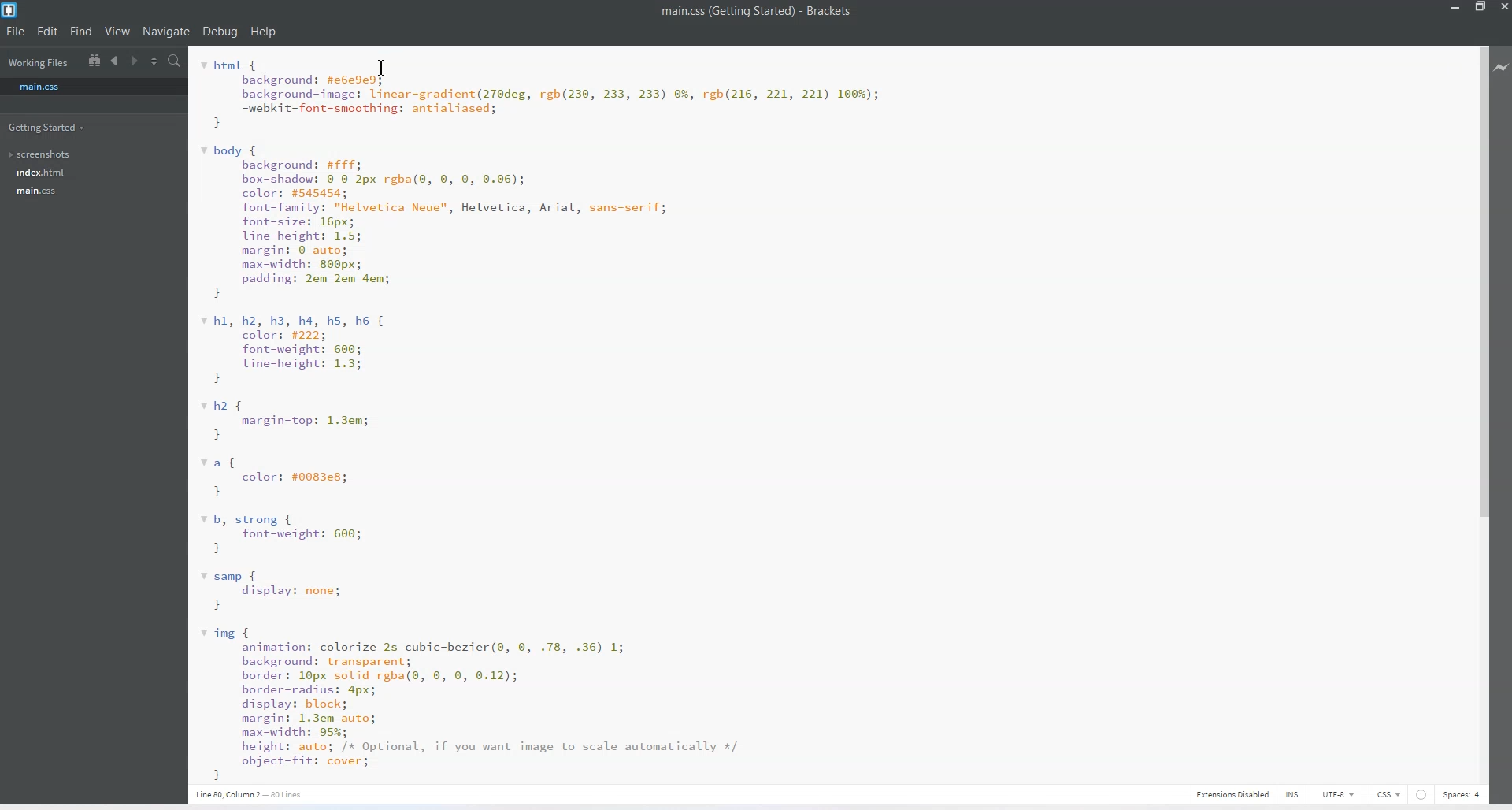 Image resolution: width=1512 pixels, height=810 pixels. What do you see at coordinates (117, 32) in the screenshot?
I see `View` at bounding box center [117, 32].